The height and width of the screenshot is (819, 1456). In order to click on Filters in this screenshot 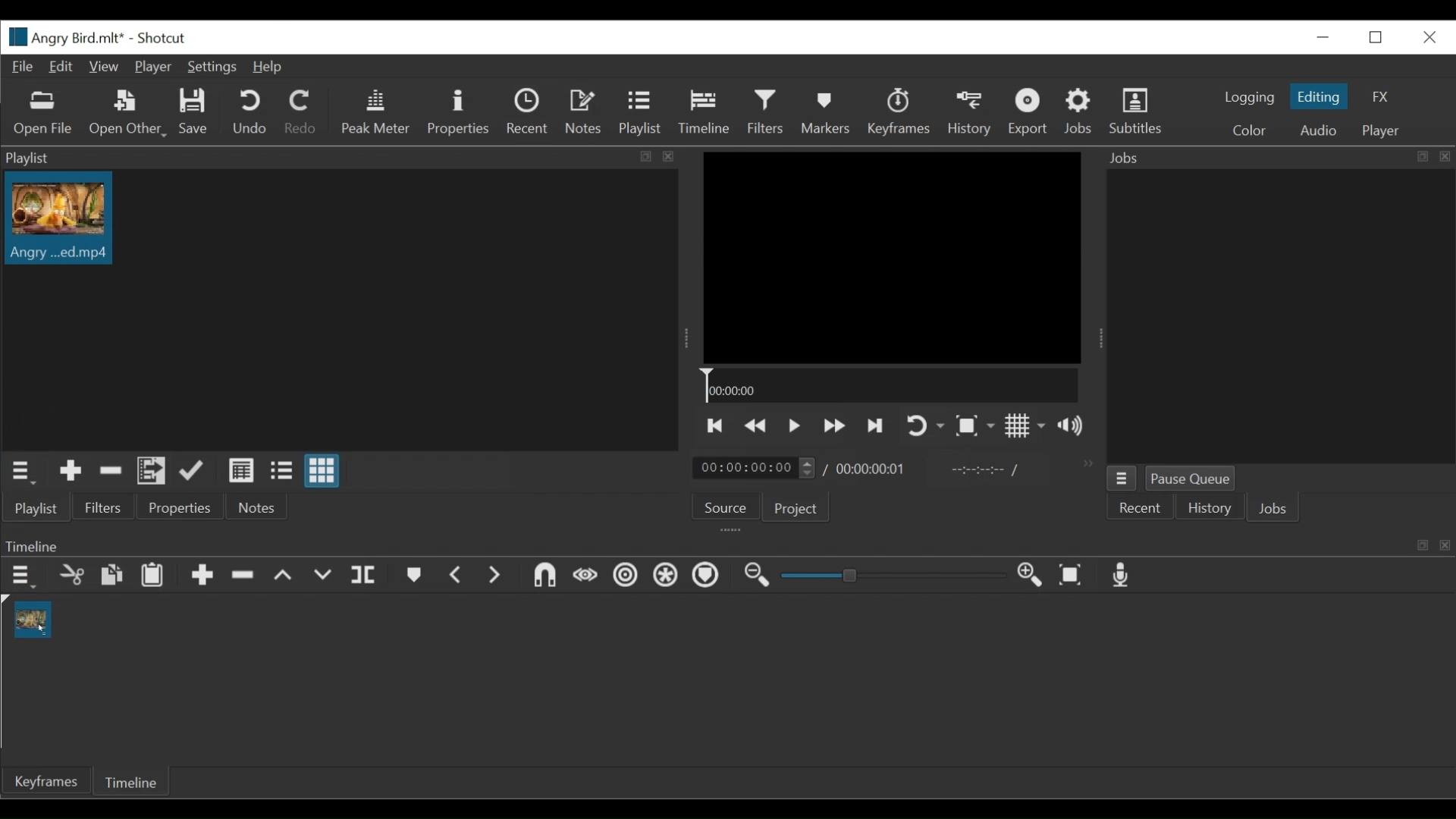, I will do `click(767, 112)`.